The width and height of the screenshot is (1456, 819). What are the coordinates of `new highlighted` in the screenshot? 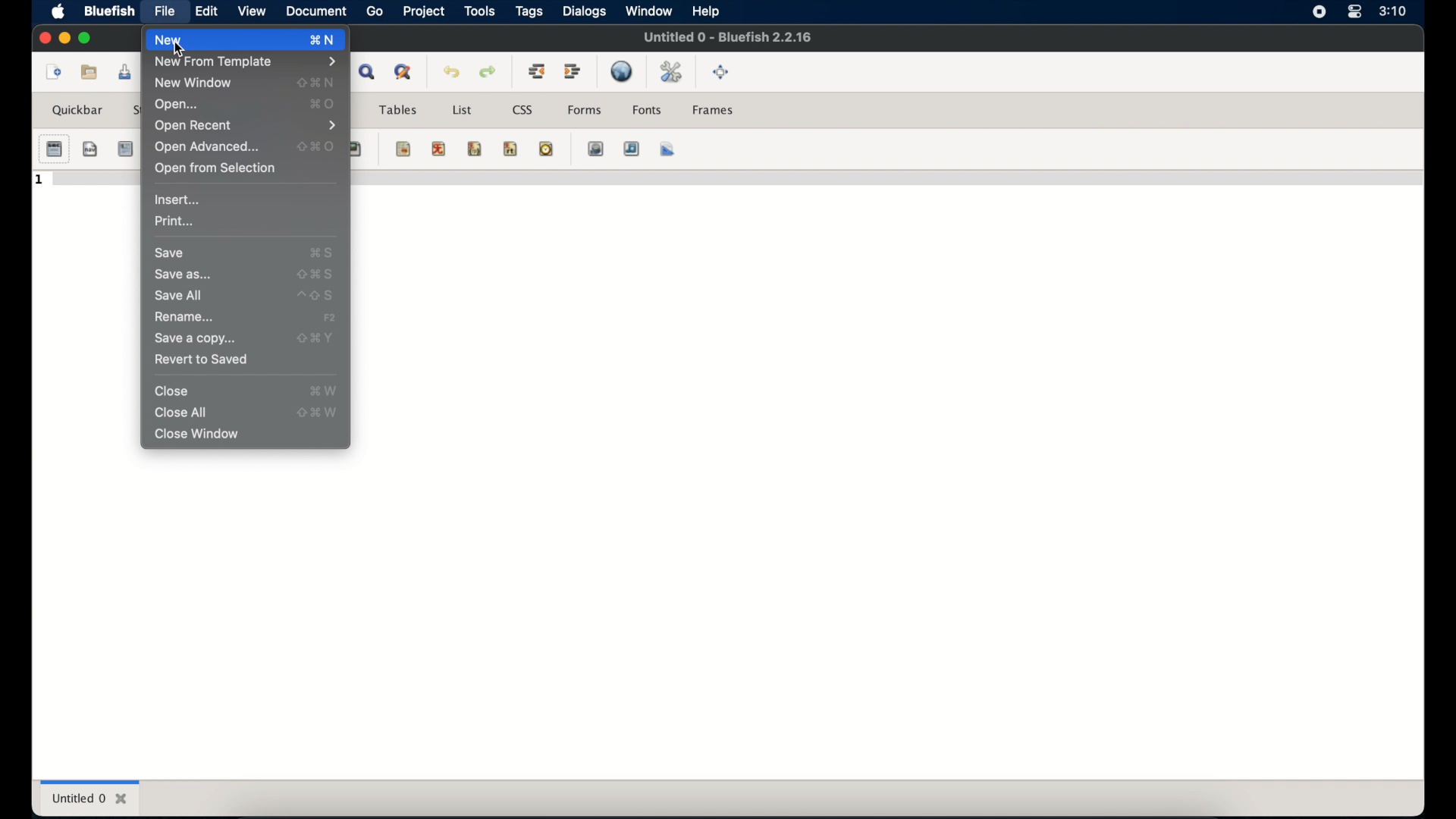 It's located at (224, 39).